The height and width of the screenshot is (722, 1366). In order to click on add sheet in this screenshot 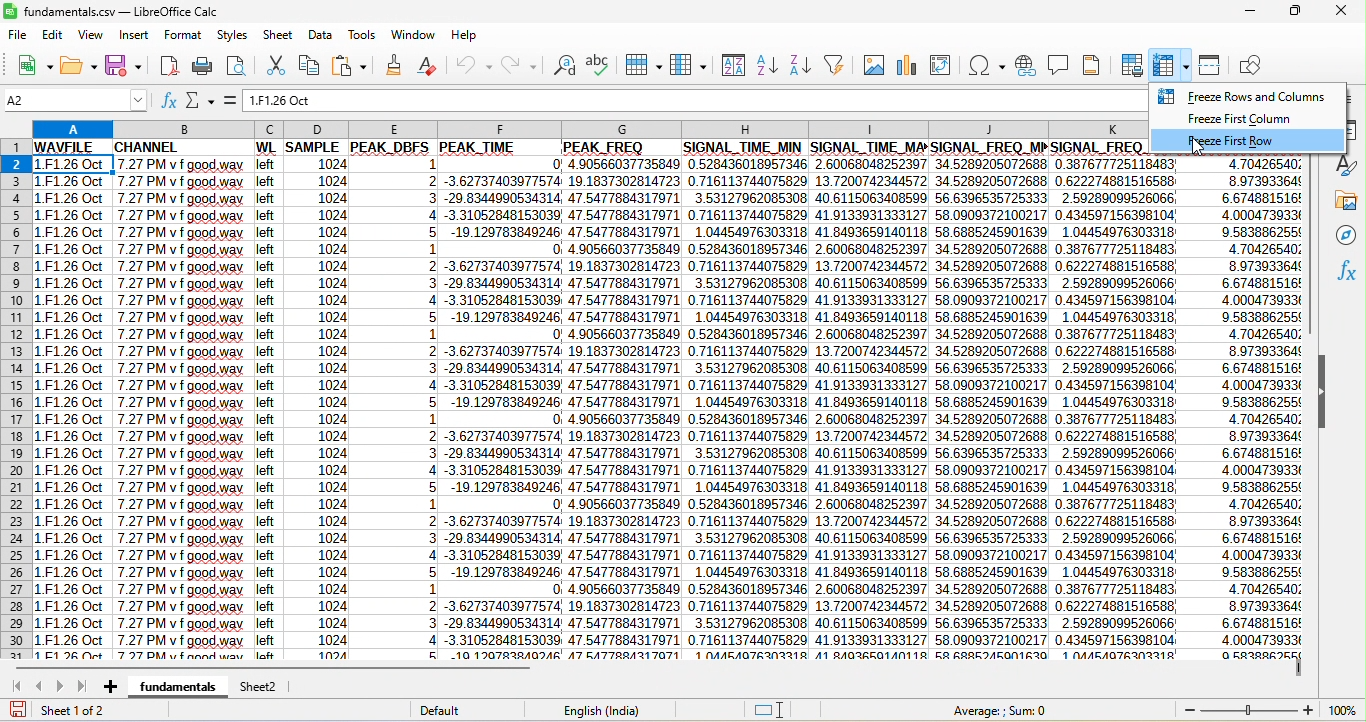, I will do `click(111, 684)`.